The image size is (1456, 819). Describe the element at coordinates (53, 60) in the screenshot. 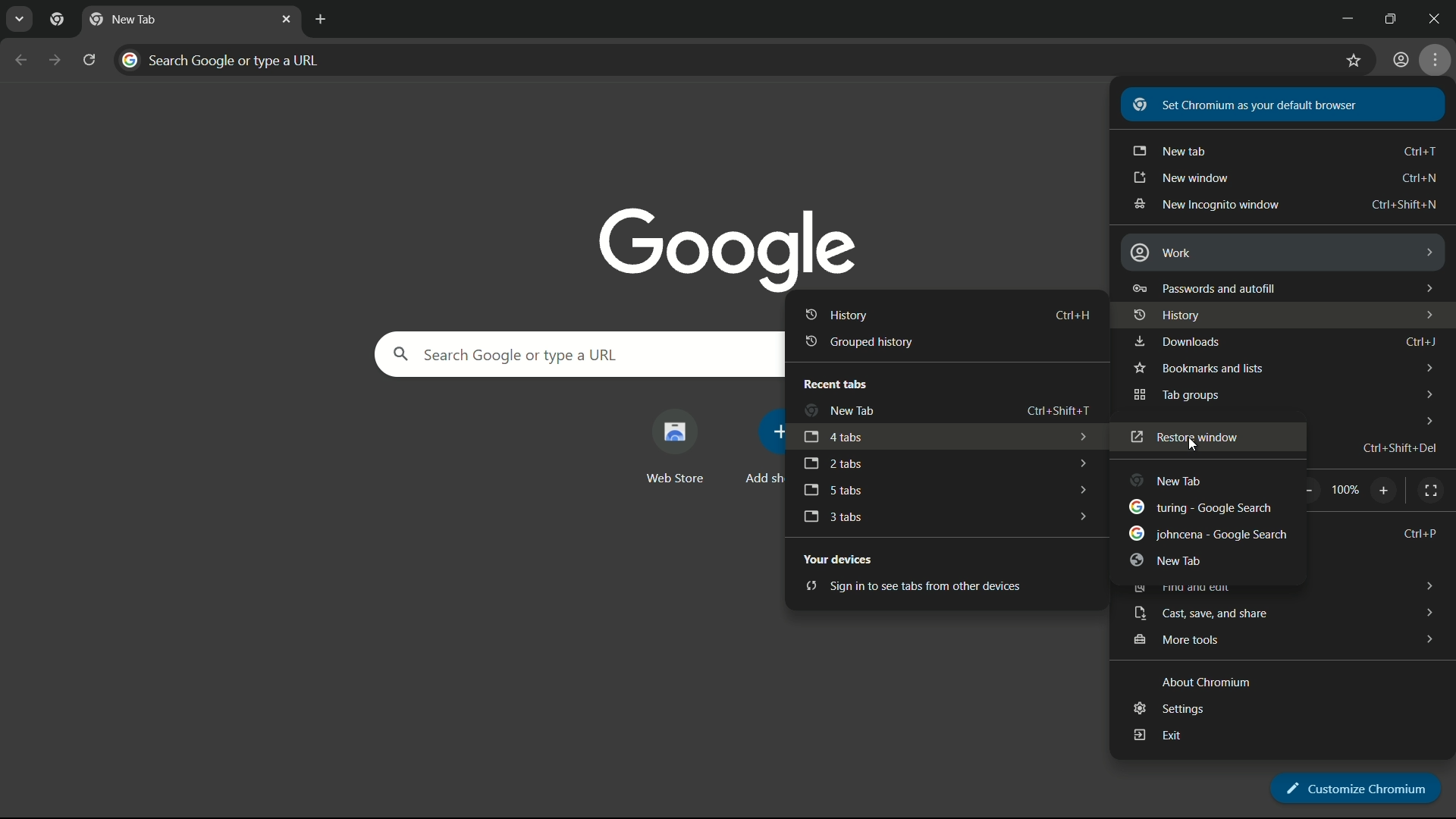

I see `forward` at that location.